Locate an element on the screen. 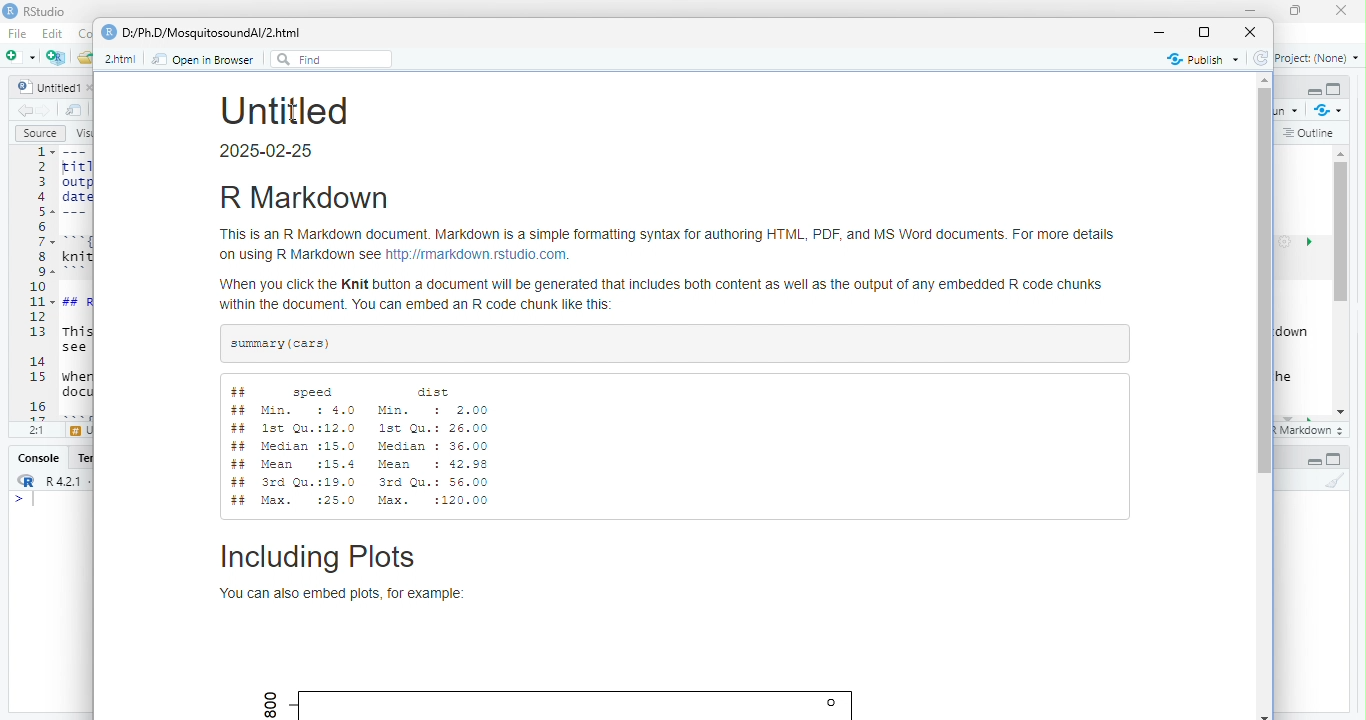  Collapse is located at coordinates (1314, 462).